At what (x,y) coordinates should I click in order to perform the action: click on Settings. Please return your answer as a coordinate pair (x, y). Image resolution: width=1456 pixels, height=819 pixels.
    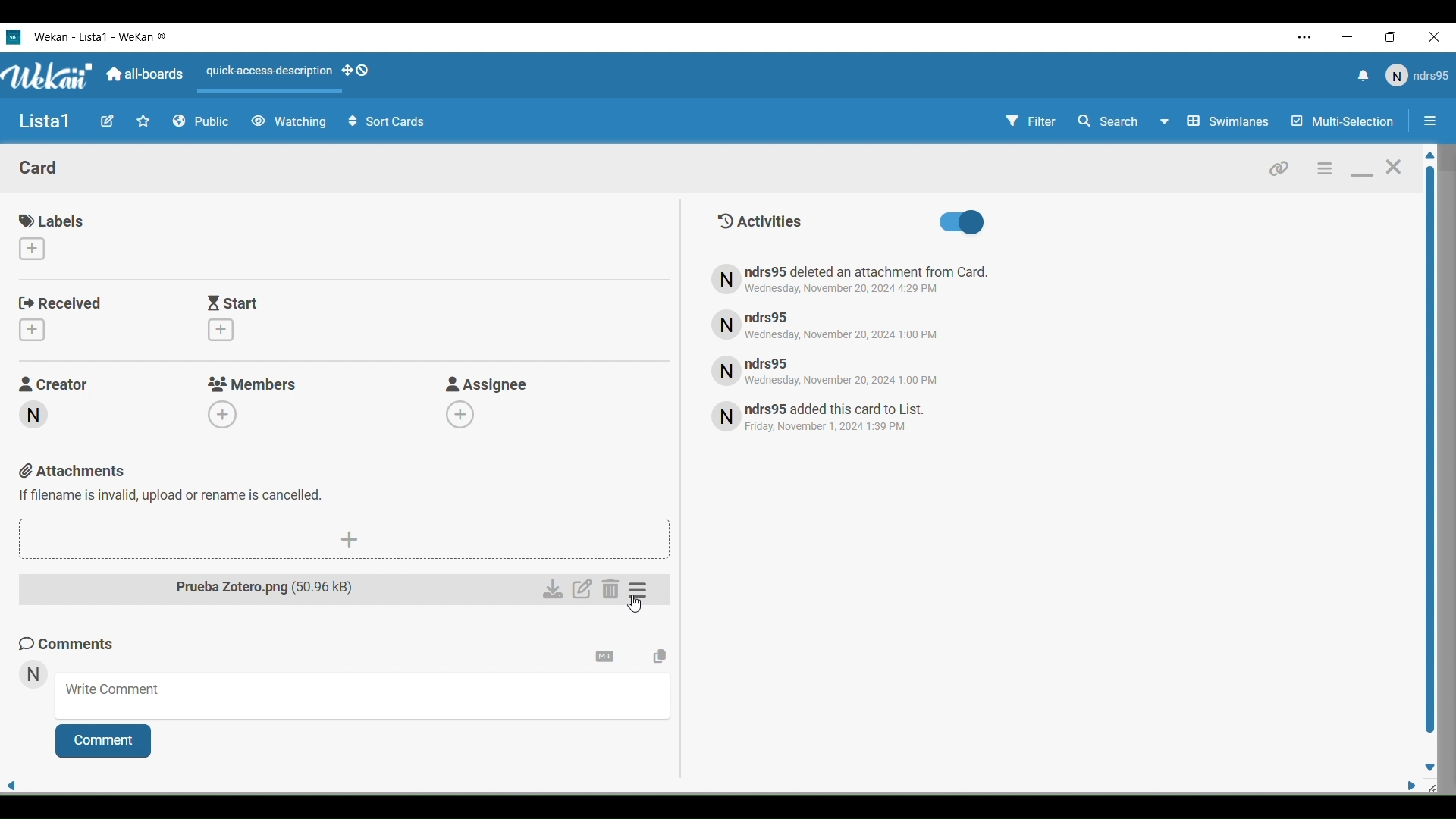
    Looking at the image, I should click on (1323, 168).